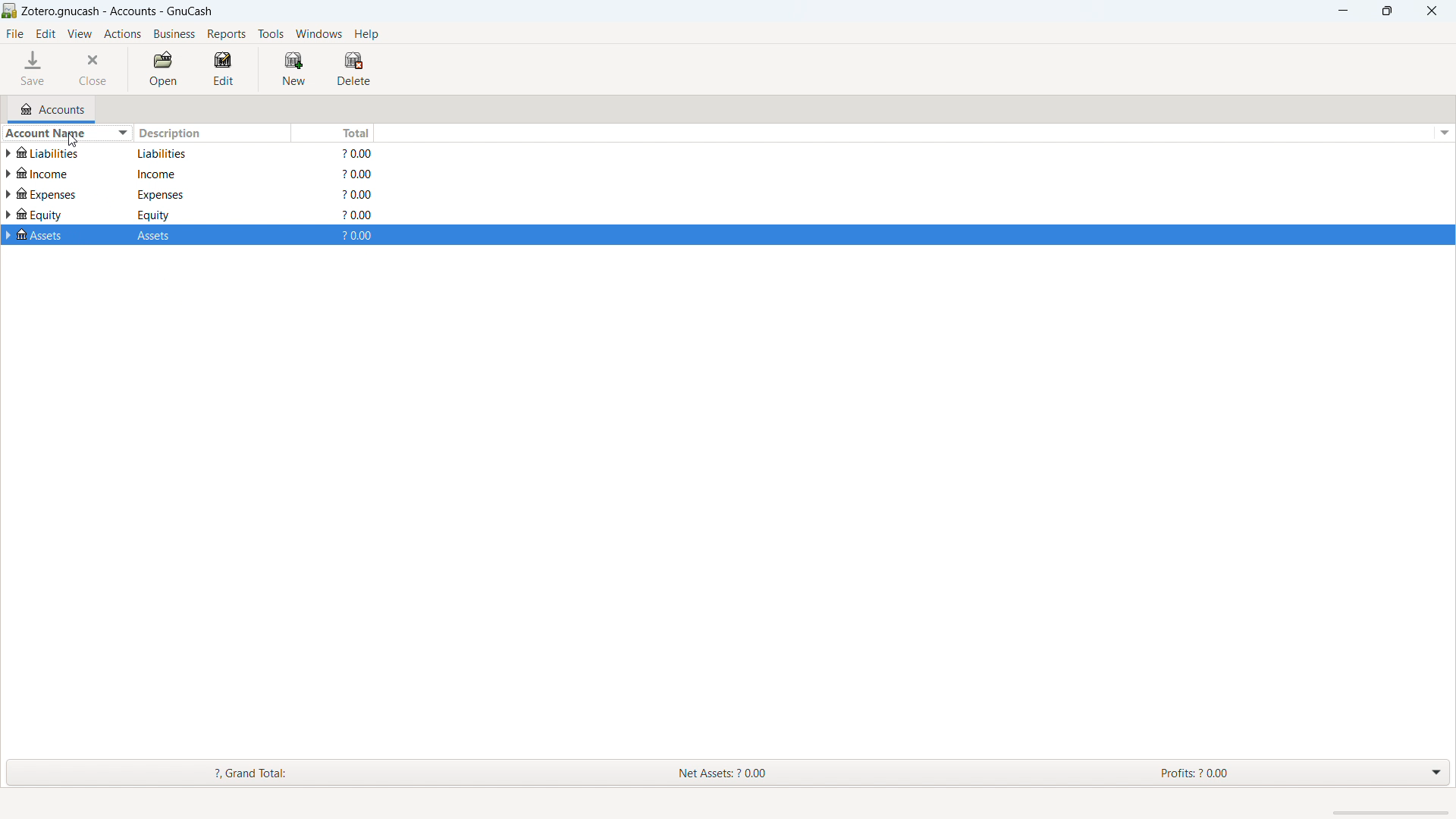  What do you see at coordinates (1228, 773) in the screenshot?
I see `Profits: ? 0.00` at bounding box center [1228, 773].